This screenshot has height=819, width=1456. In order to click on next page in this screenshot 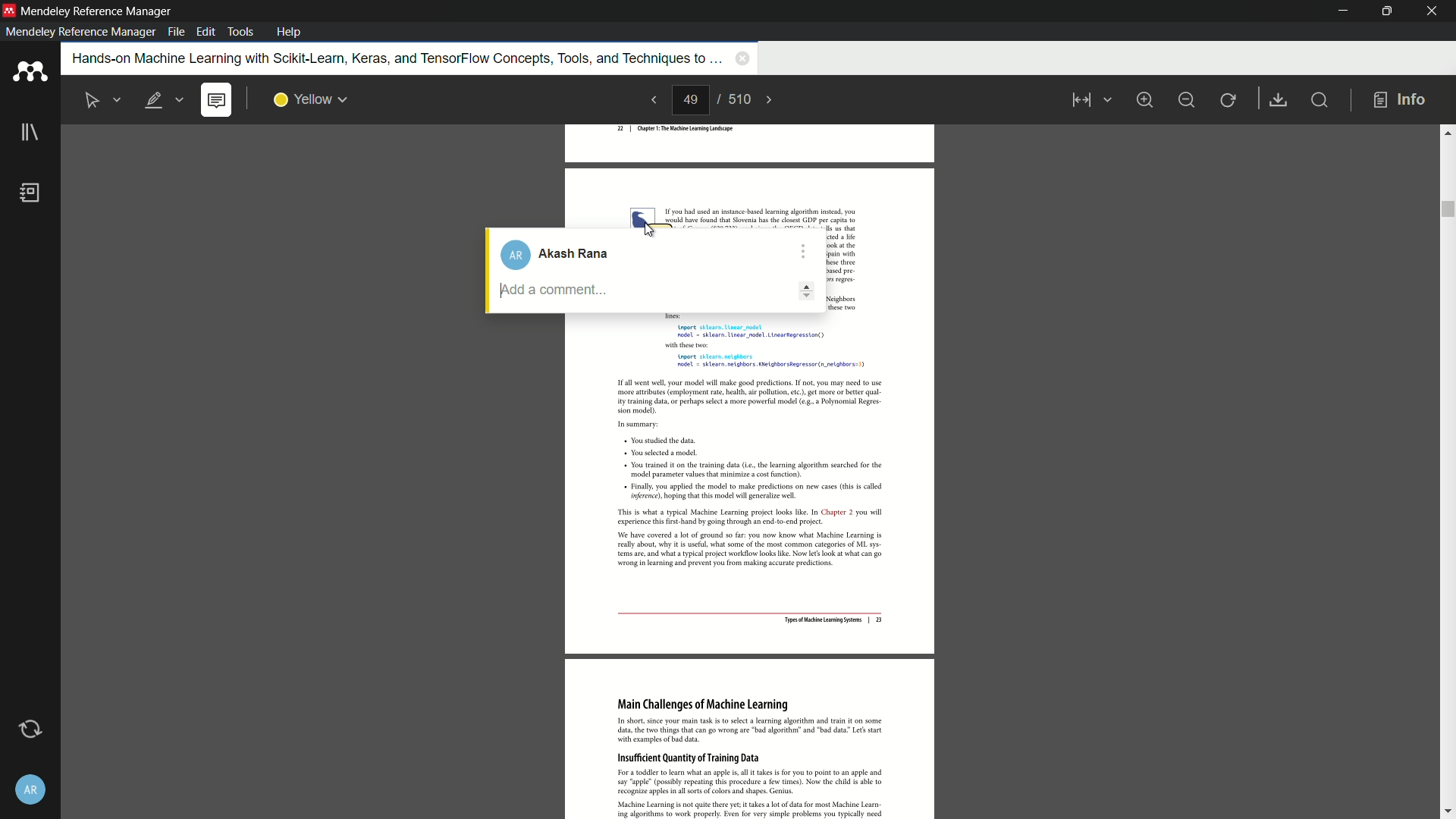, I will do `click(777, 99)`.